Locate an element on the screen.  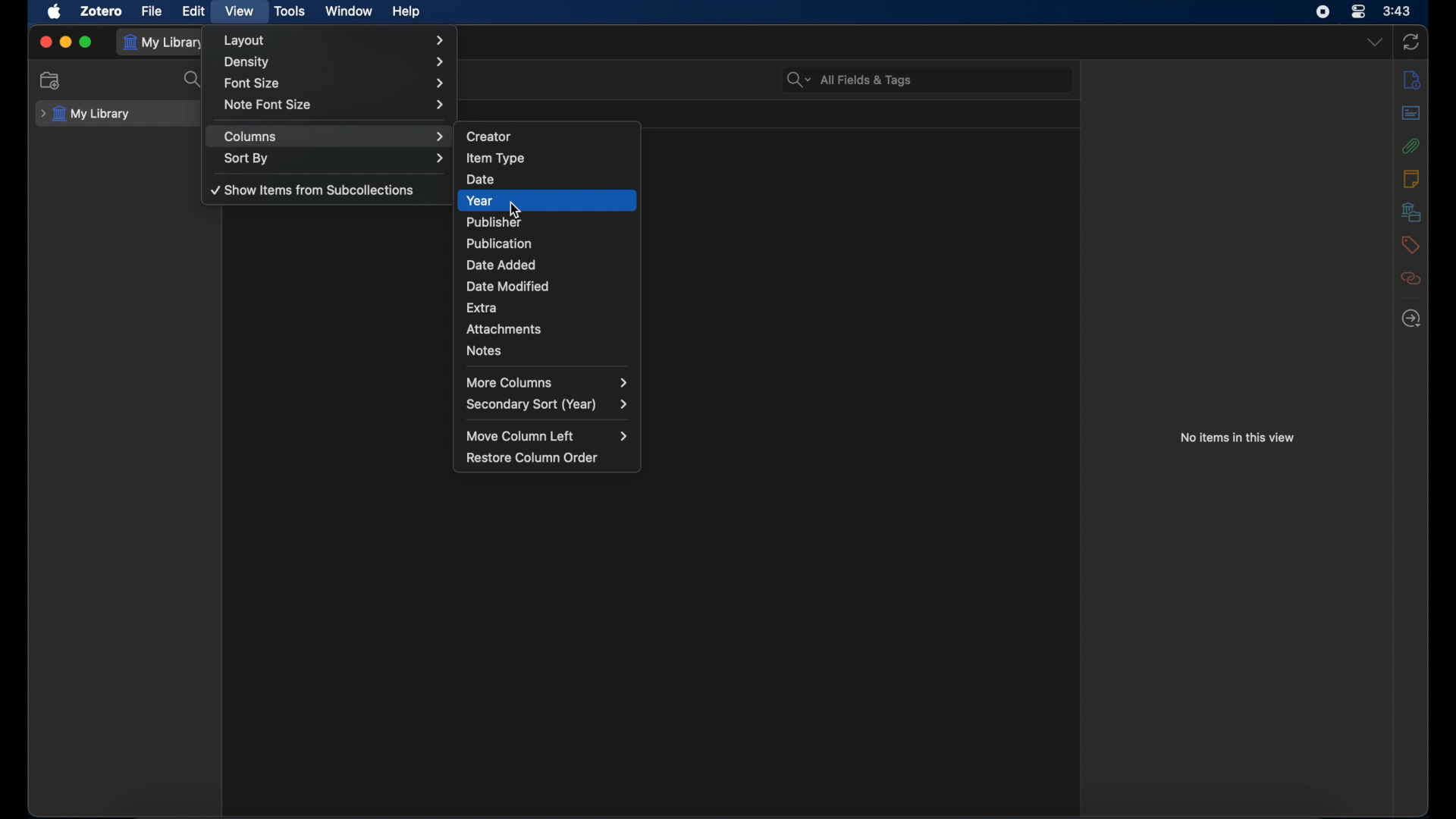
move column left is located at coordinates (547, 435).